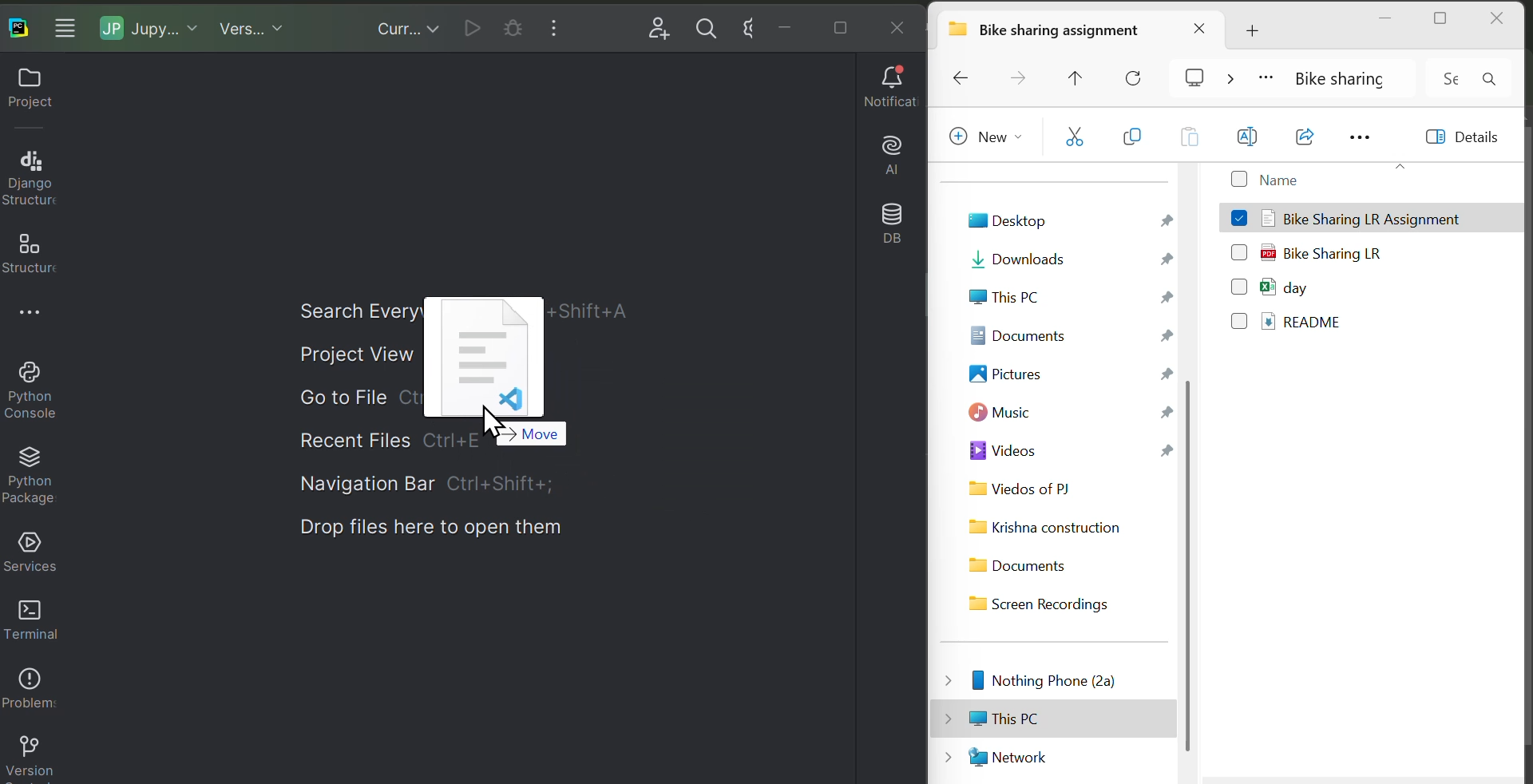 The image size is (1533, 784). I want to click on Bike Sharing LR, so click(1325, 251).